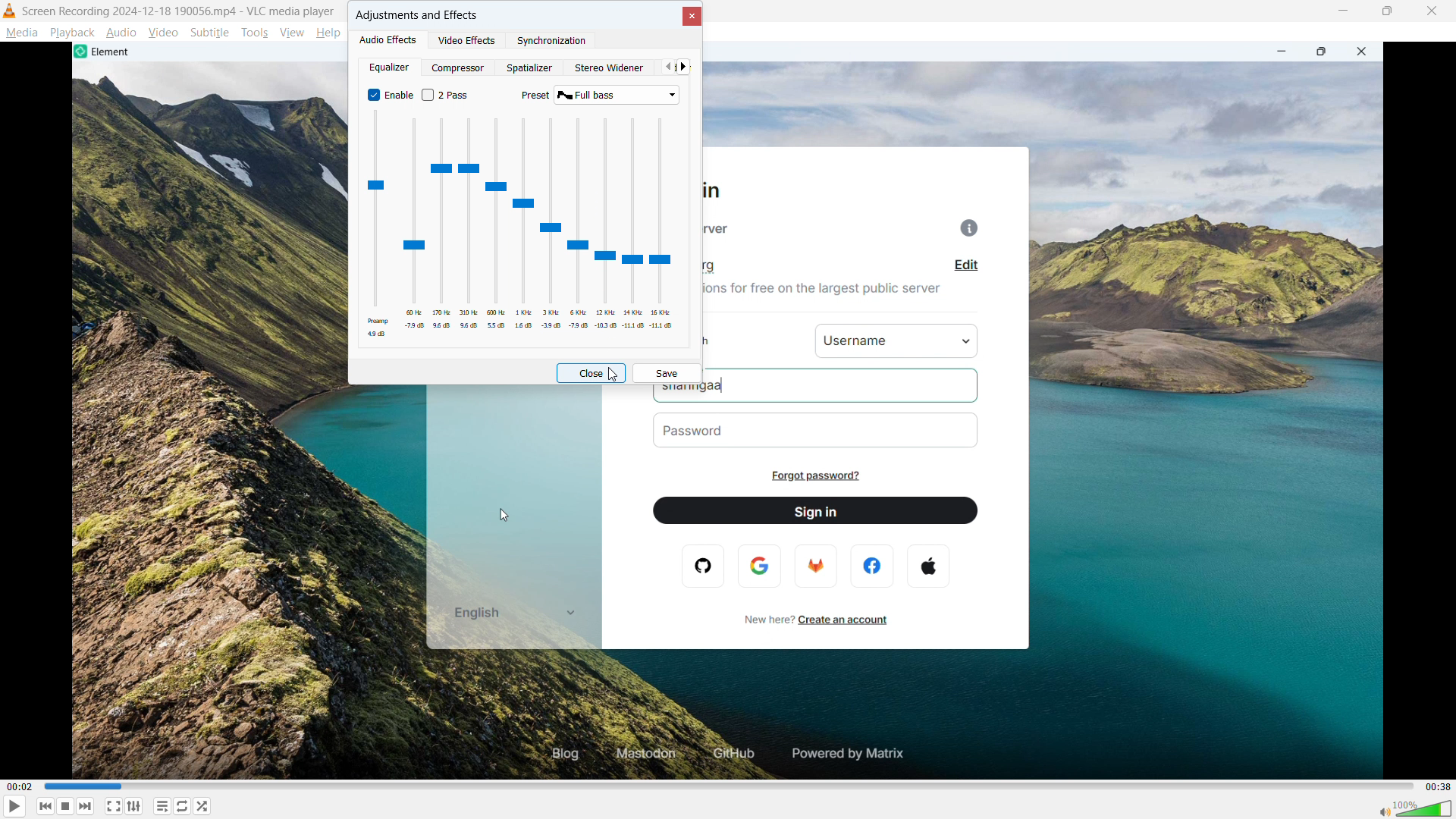  What do you see at coordinates (590, 372) in the screenshot?
I see `Close` at bounding box center [590, 372].